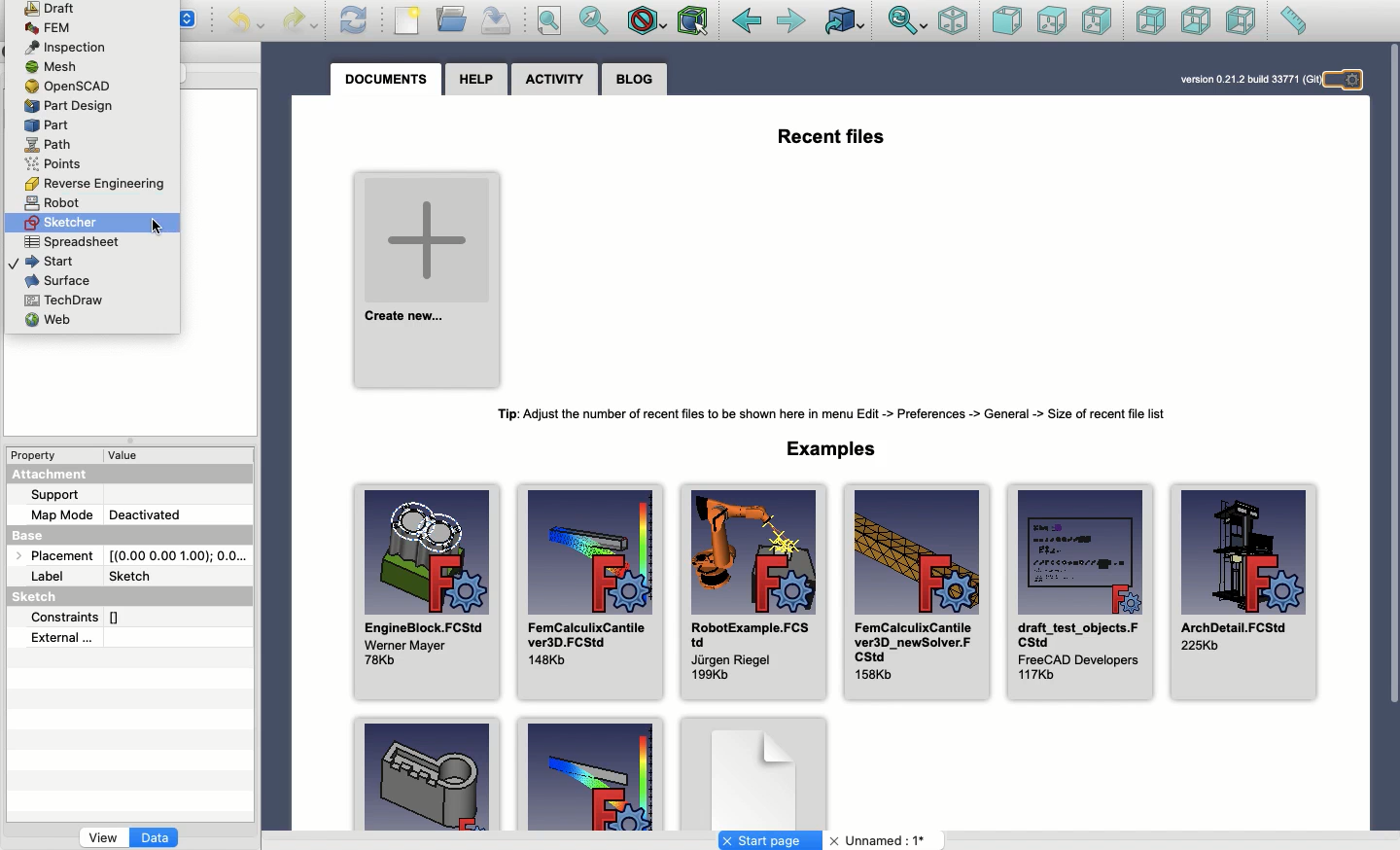 Image resolution: width=1400 pixels, height=850 pixels. What do you see at coordinates (58, 515) in the screenshot?
I see `Map mode` at bounding box center [58, 515].